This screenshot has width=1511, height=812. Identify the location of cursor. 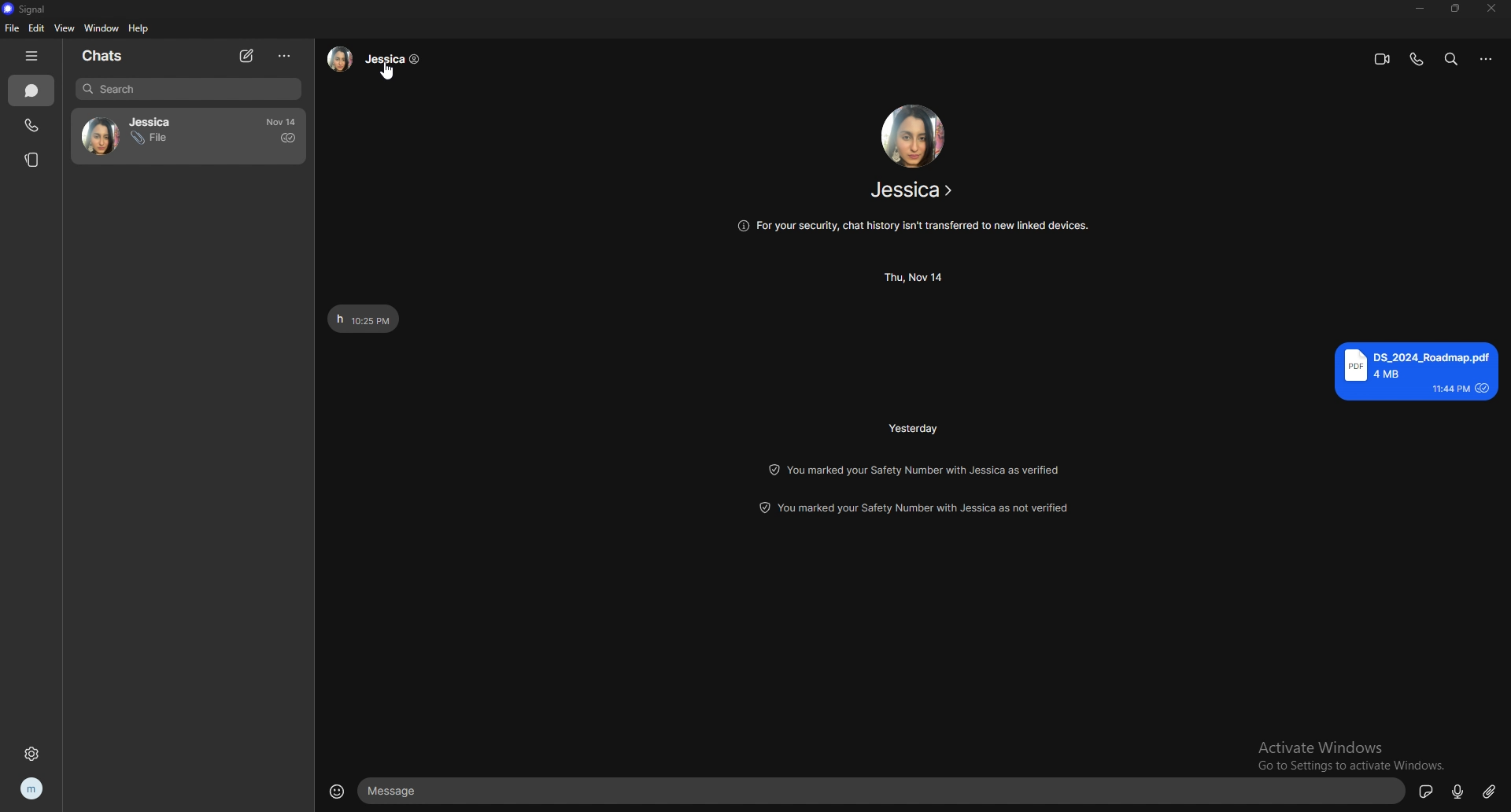
(389, 72).